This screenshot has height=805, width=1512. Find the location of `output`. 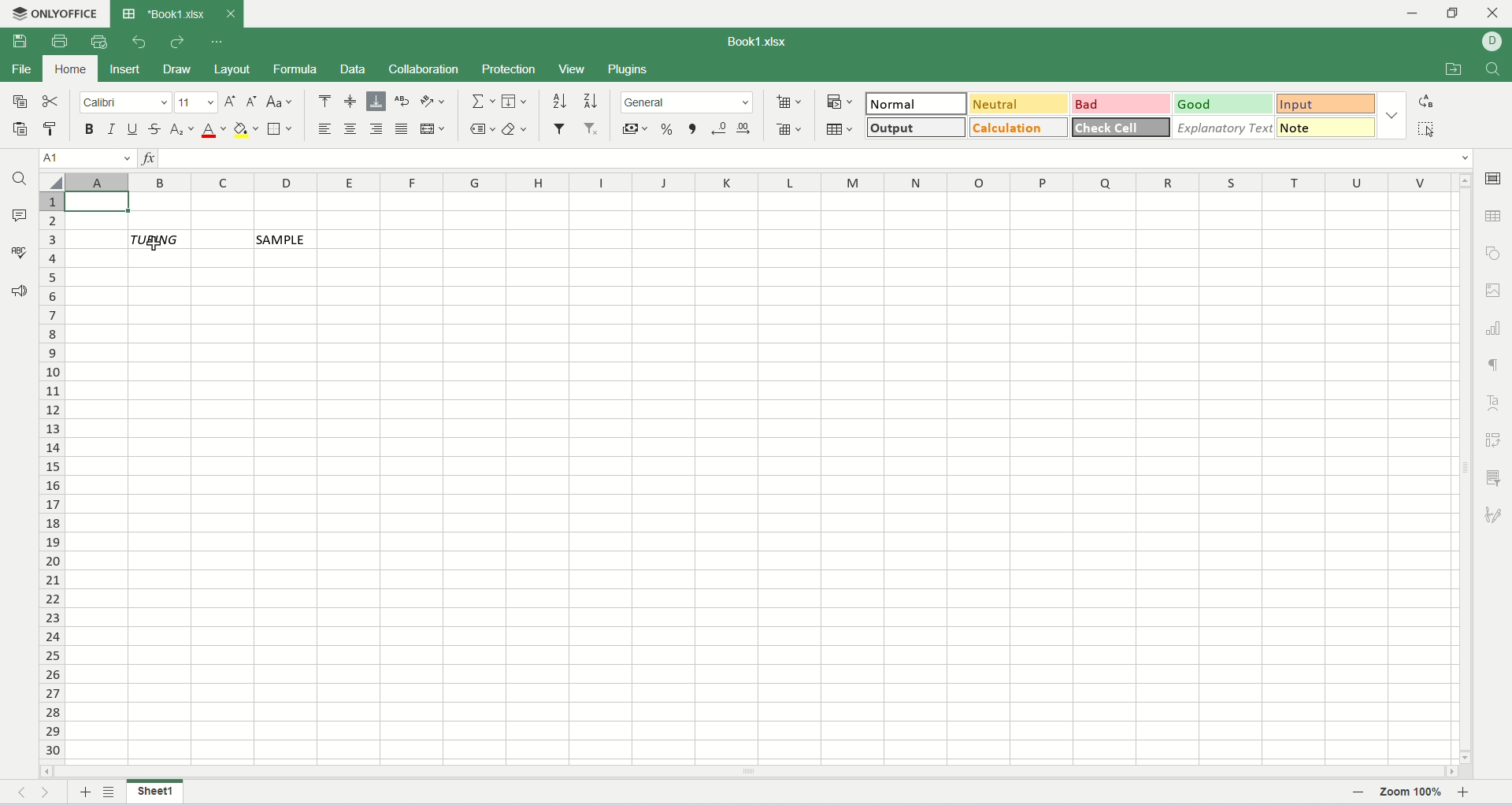

output is located at coordinates (917, 127).